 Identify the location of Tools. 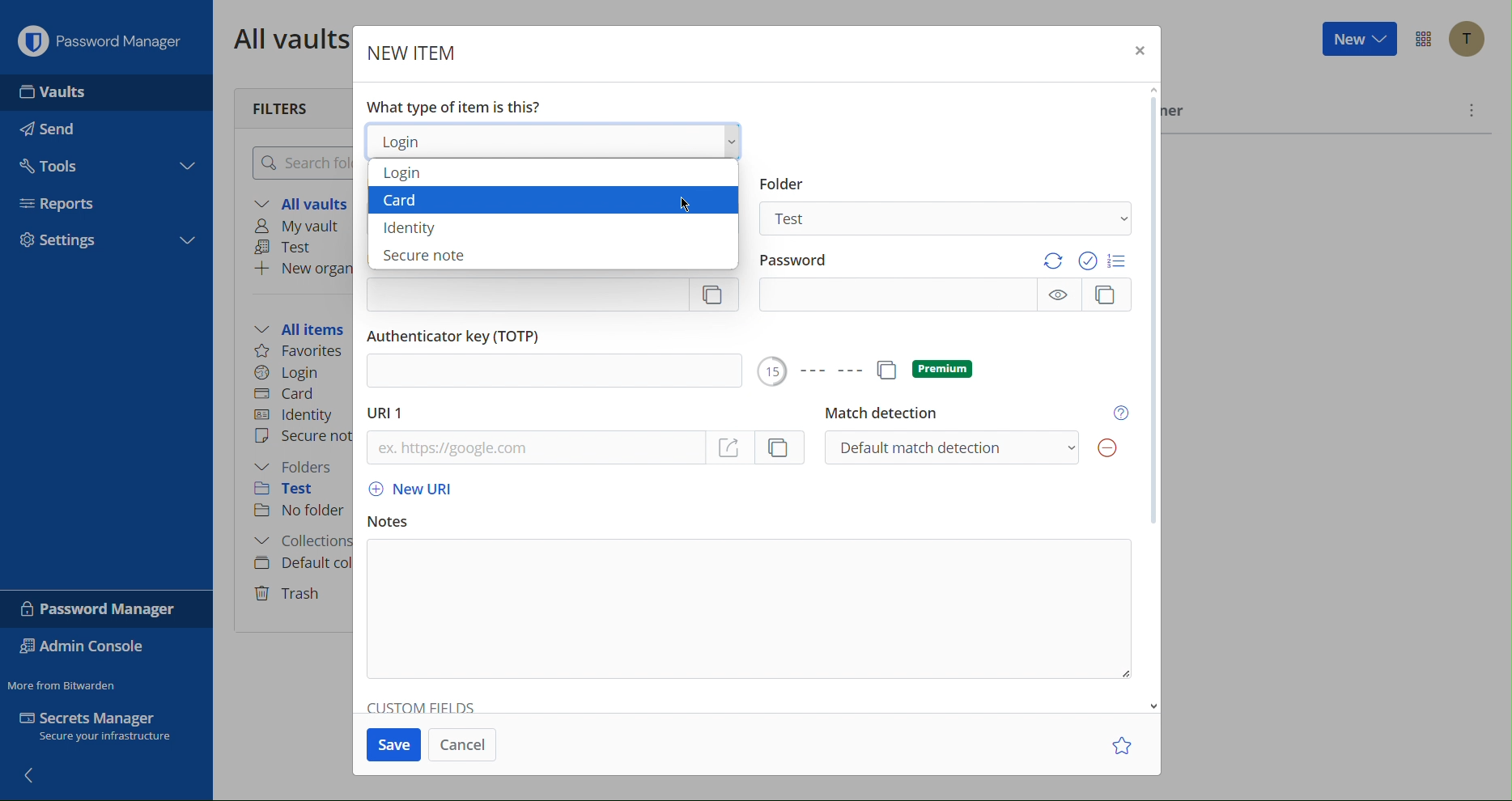
(59, 165).